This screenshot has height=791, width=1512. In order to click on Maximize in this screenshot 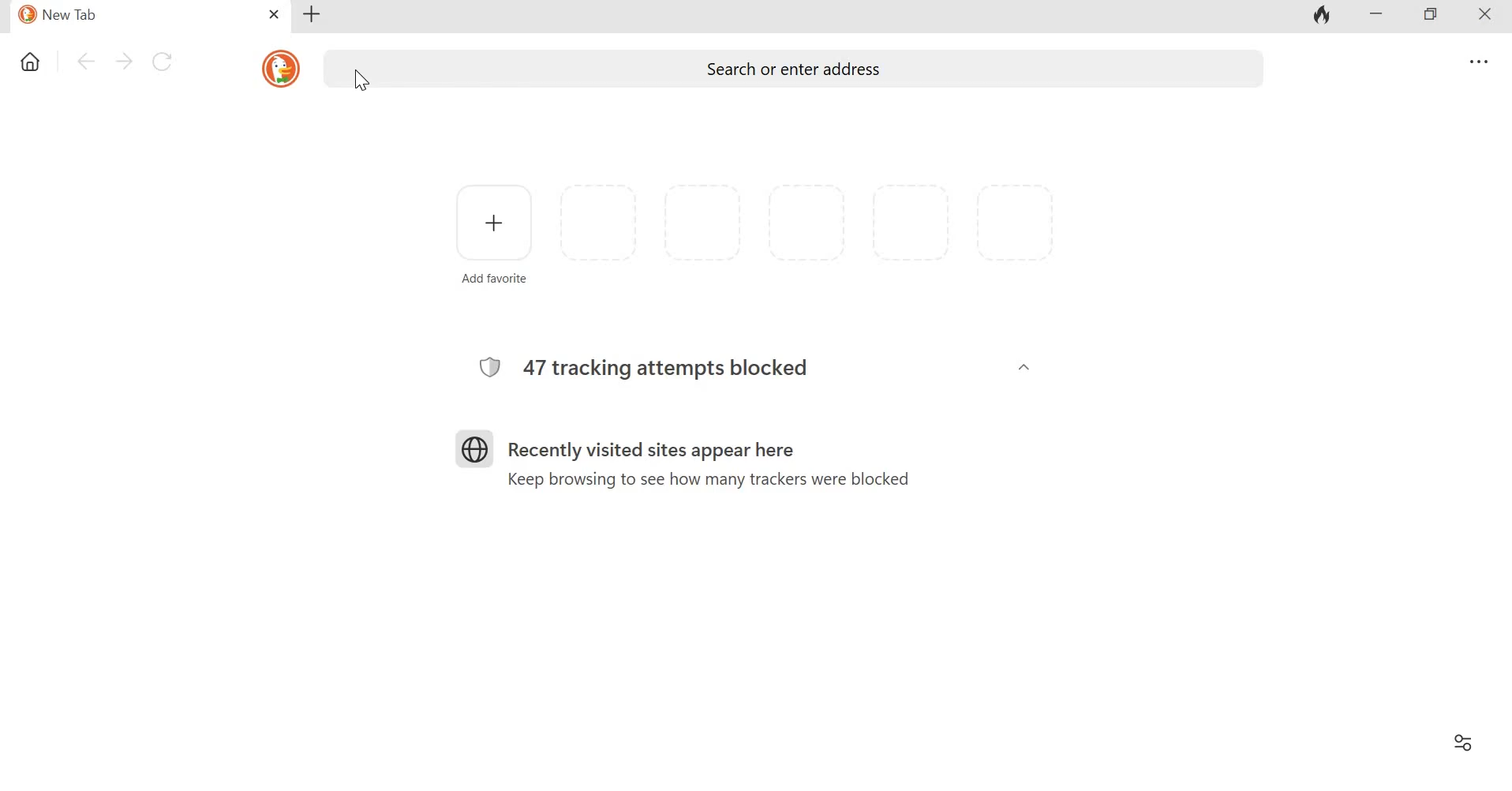, I will do `click(1433, 15)`.